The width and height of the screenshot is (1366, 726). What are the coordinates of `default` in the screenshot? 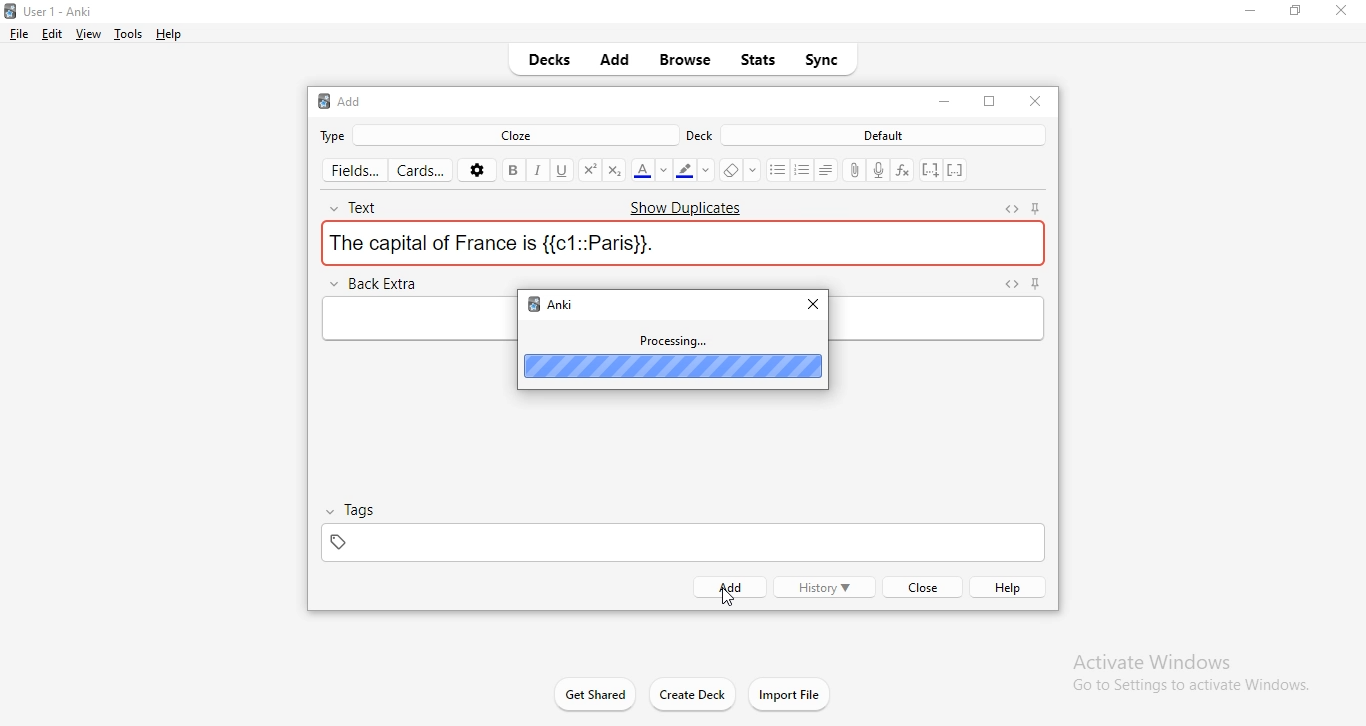 It's located at (885, 136).